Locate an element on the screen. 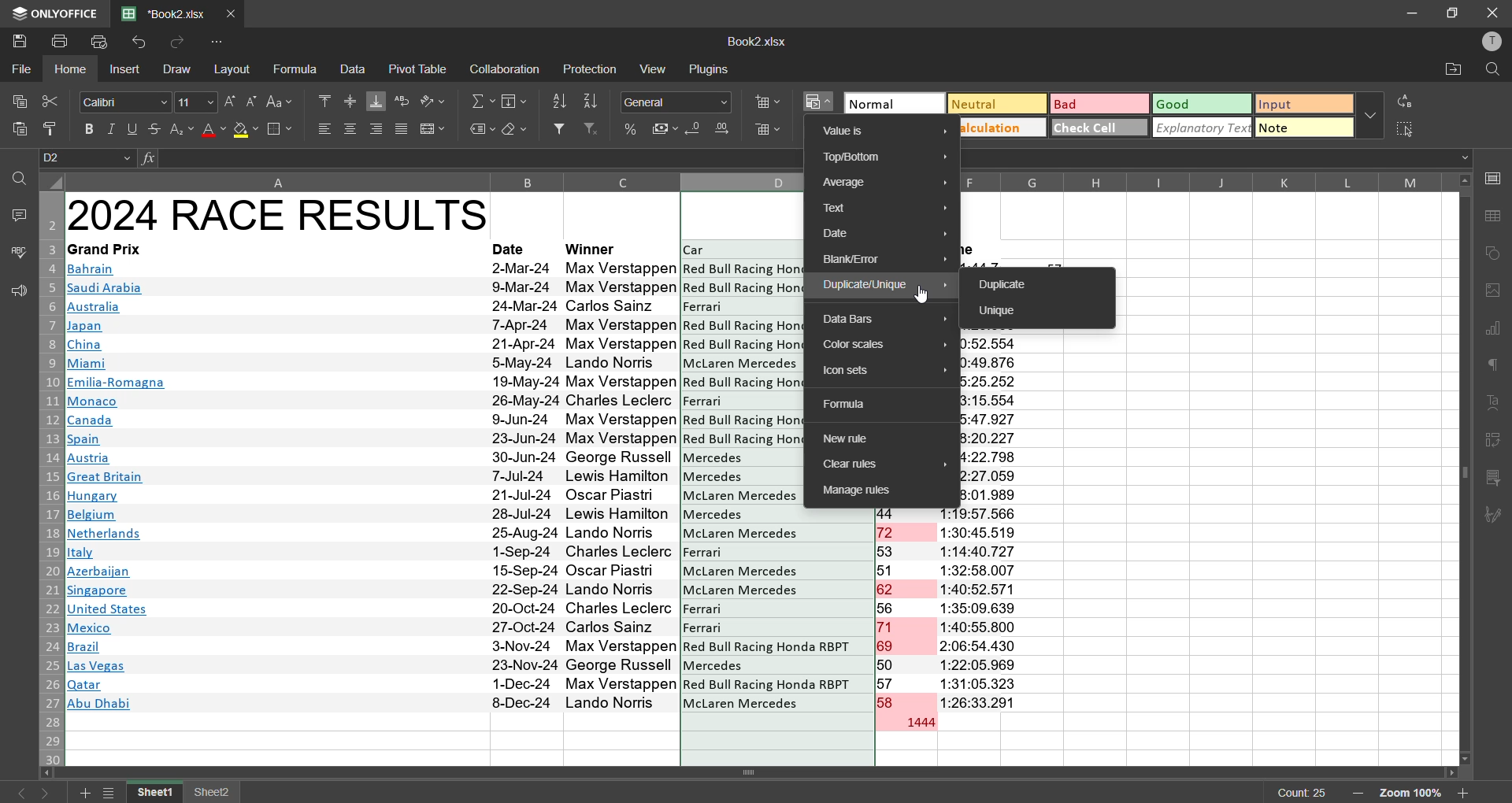  good is located at coordinates (1202, 103).